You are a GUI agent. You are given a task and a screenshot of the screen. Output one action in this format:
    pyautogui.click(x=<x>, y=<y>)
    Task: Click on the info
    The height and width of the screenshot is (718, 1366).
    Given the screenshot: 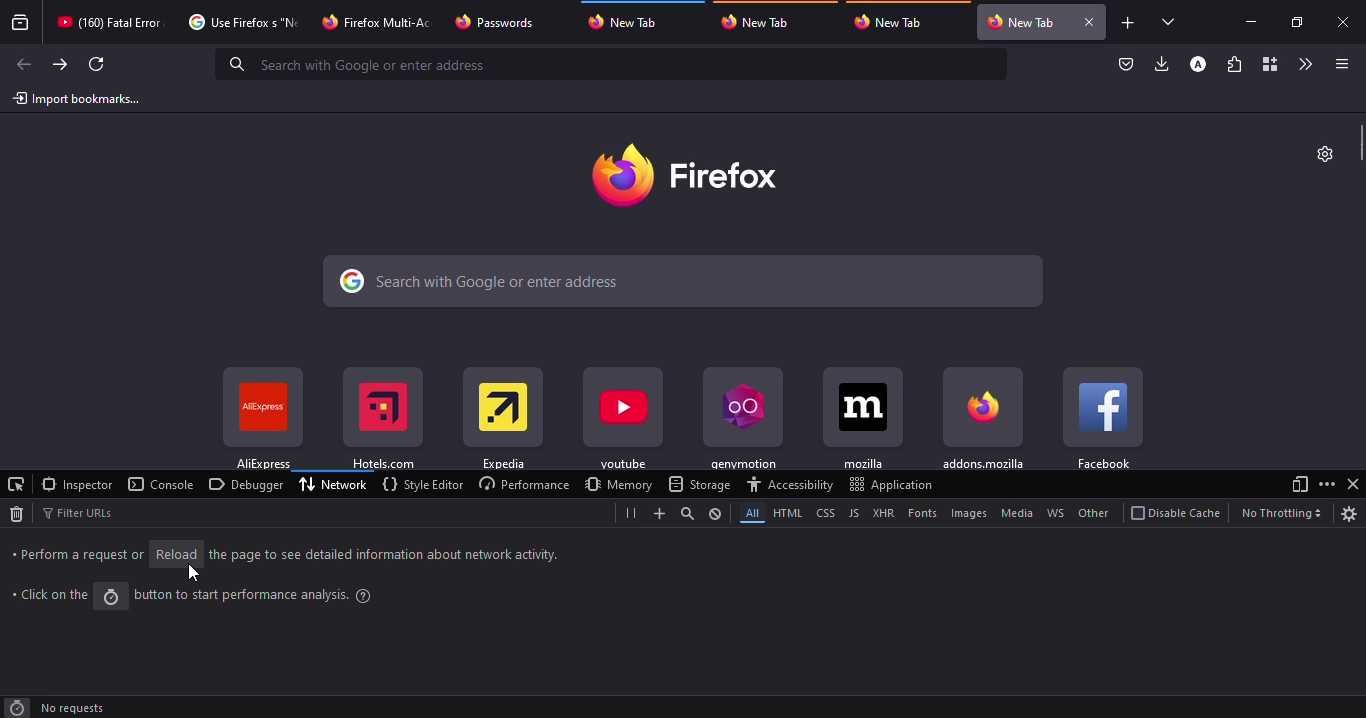 What is the action you would take?
    pyautogui.click(x=384, y=553)
    